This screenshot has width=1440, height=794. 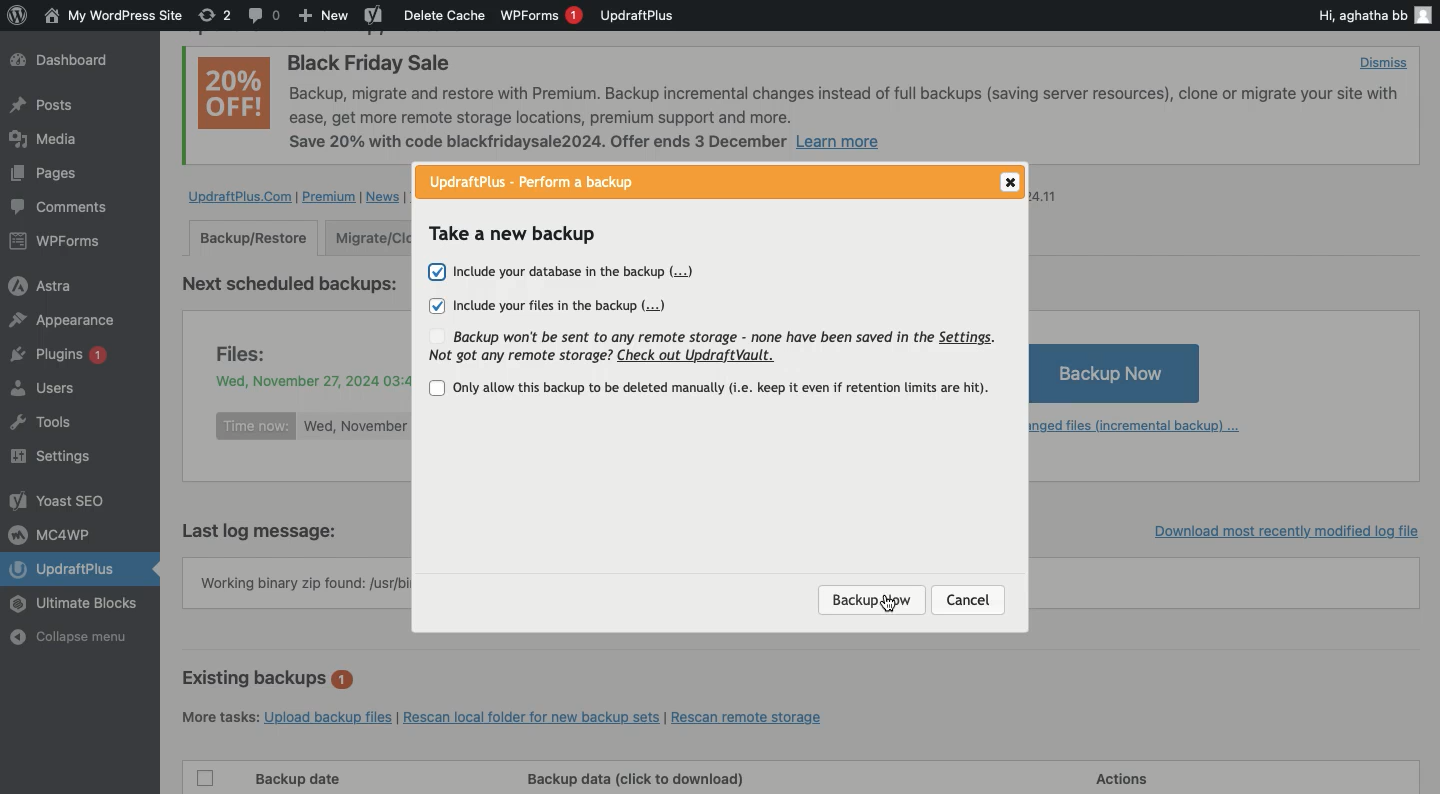 What do you see at coordinates (274, 528) in the screenshot?
I see `Last log message:` at bounding box center [274, 528].